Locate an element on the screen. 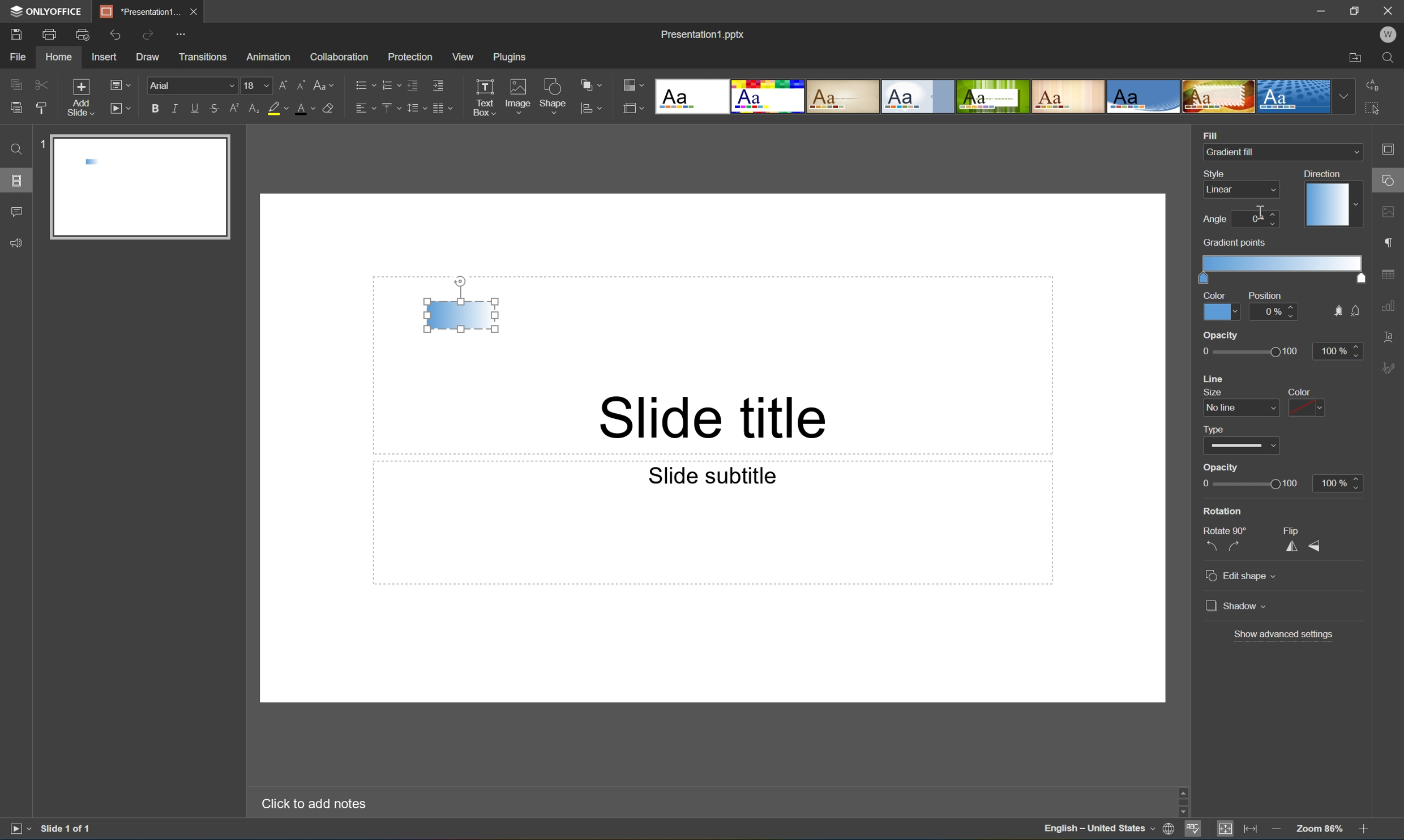  Rotate 90° clockwise is located at coordinates (1236, 546).